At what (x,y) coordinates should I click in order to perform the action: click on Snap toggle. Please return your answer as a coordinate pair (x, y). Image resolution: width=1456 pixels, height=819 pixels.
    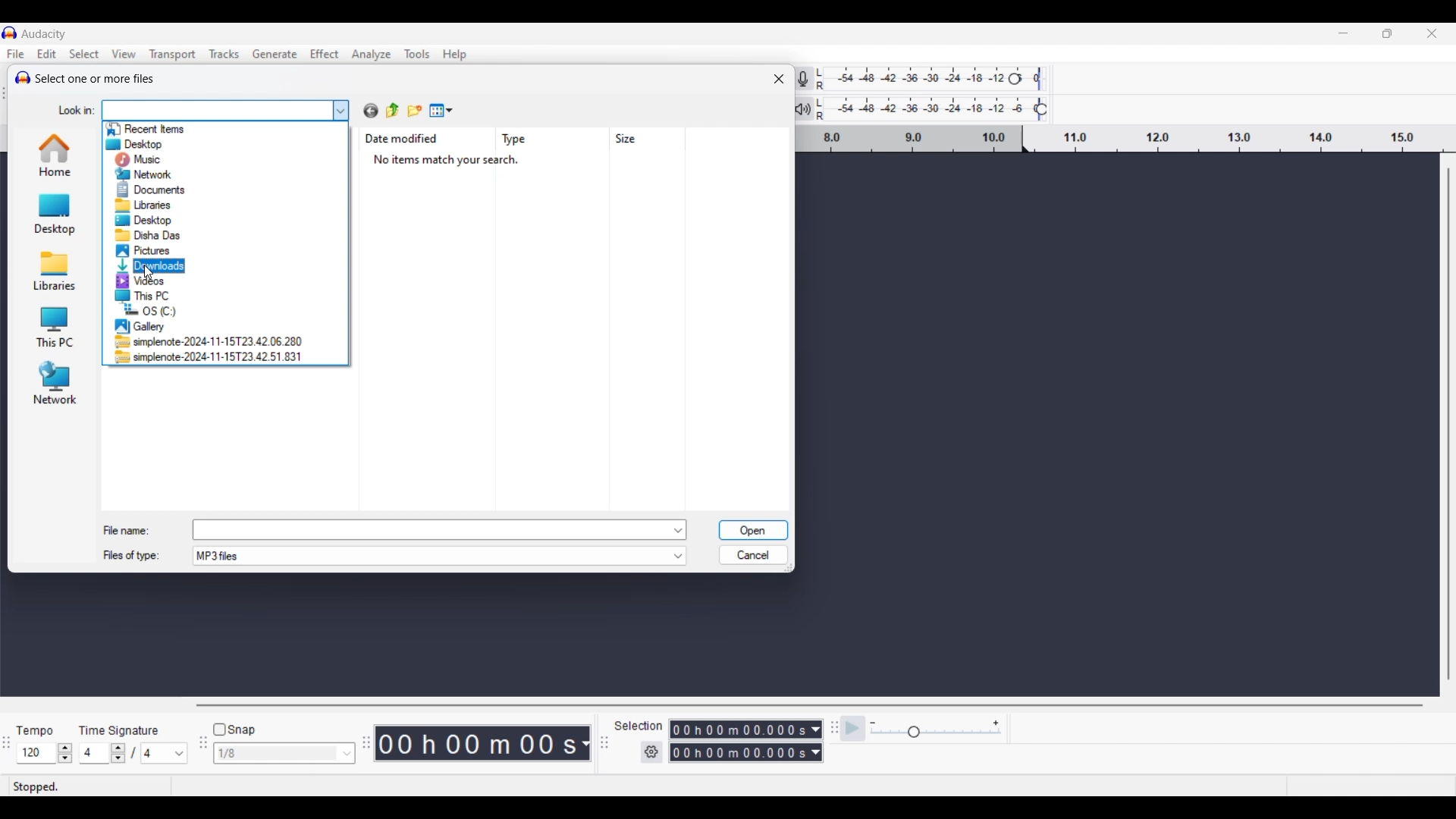
    Looking at the image, I should click on (234, 730).